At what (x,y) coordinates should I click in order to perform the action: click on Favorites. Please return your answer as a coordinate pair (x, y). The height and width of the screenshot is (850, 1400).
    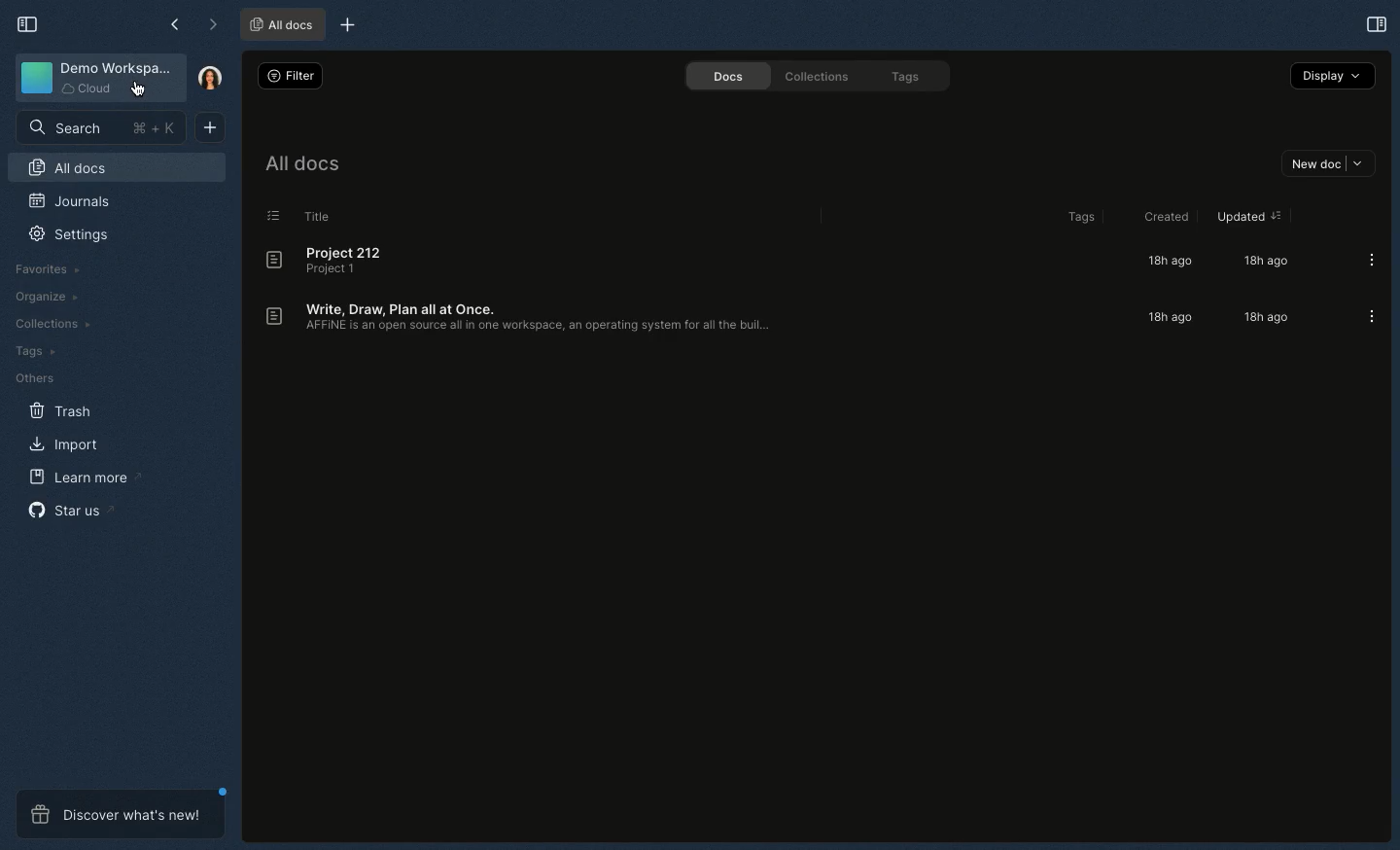
    Looking at the image, I should click on (56, 269).